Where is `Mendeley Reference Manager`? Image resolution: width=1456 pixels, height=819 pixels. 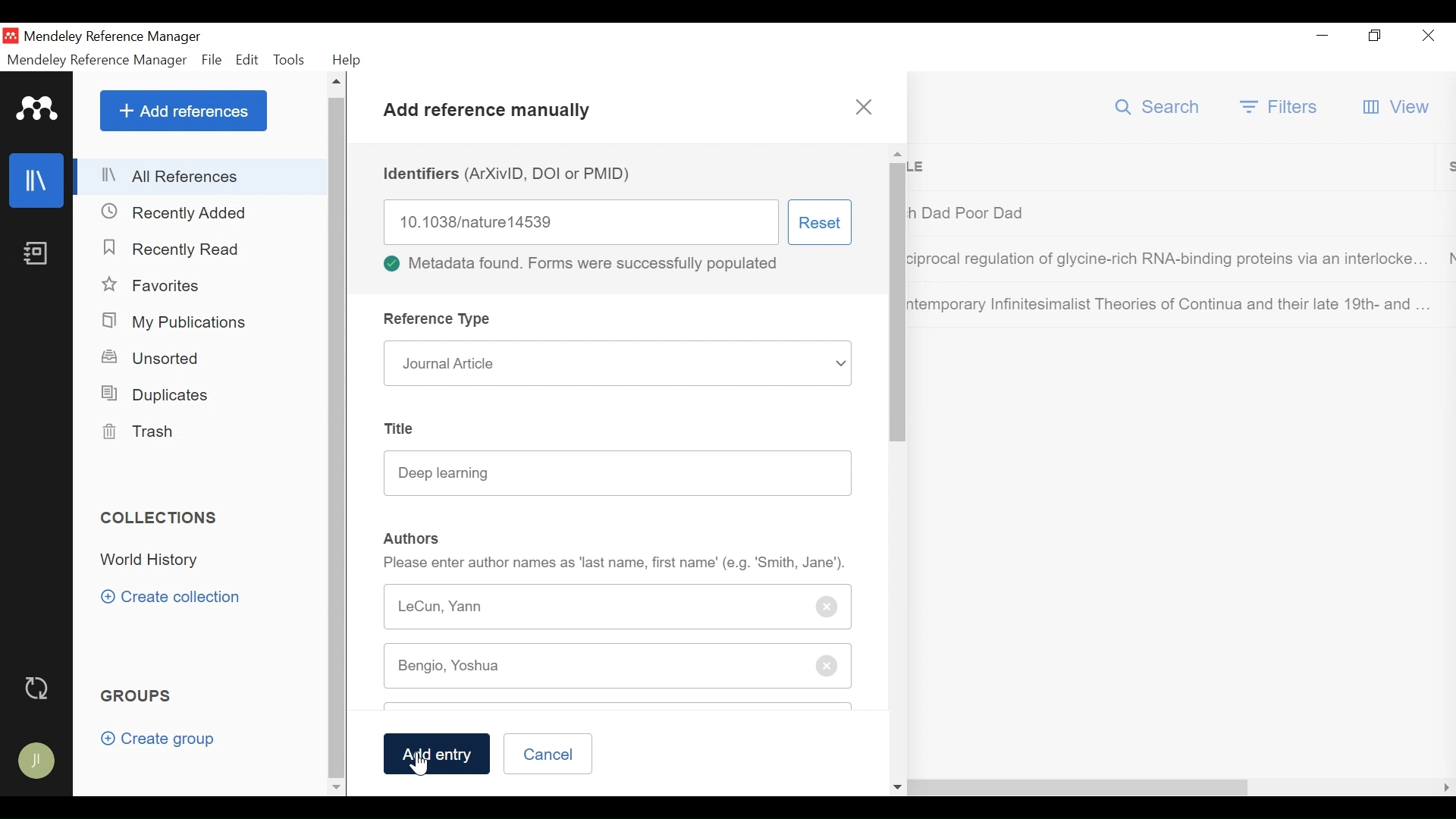 Mendeley Reference Manager is located at coordinates (98, 60).